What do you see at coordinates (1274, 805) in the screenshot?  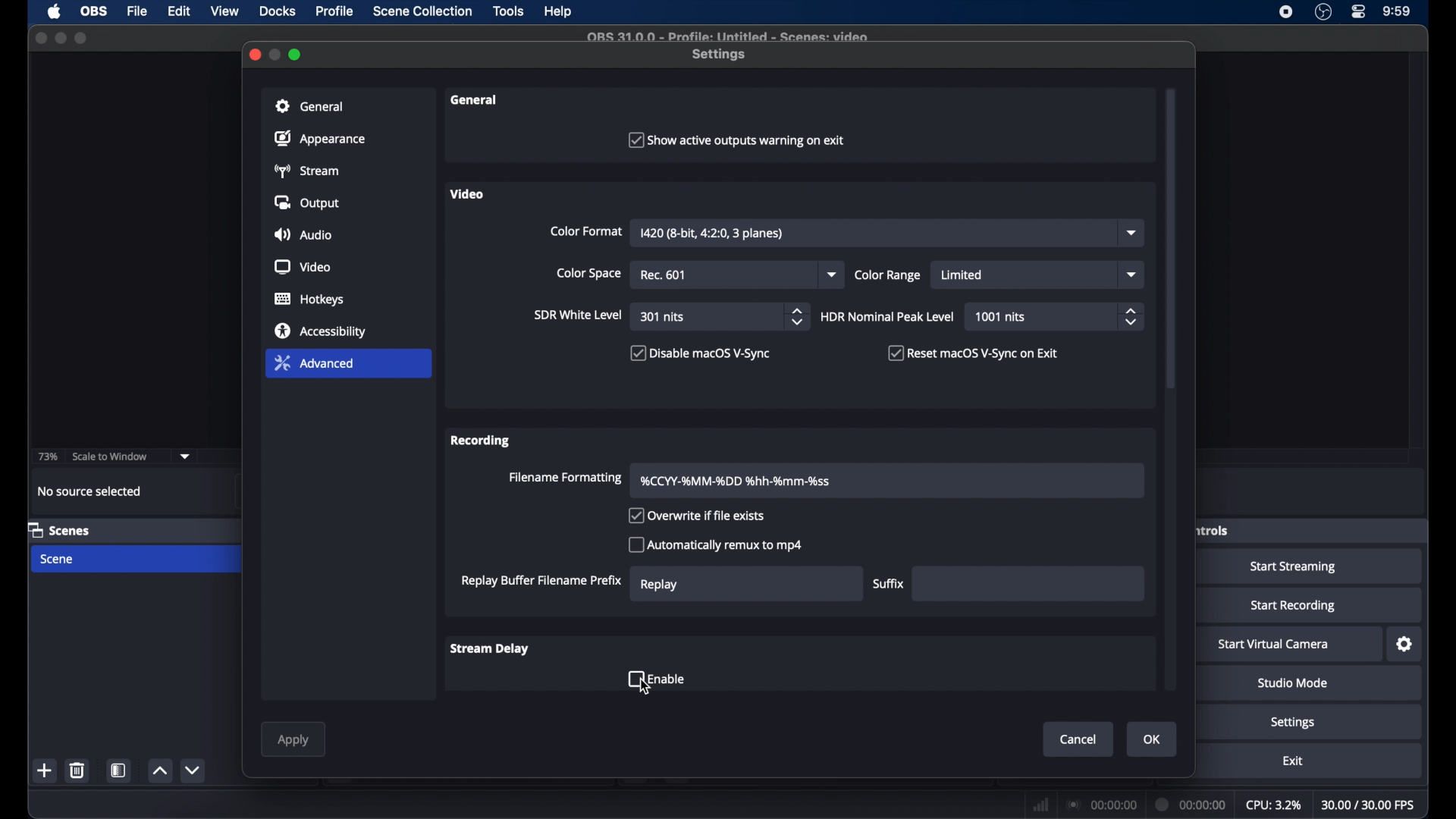 I see `cpu` at bounding box center [1274, 805].